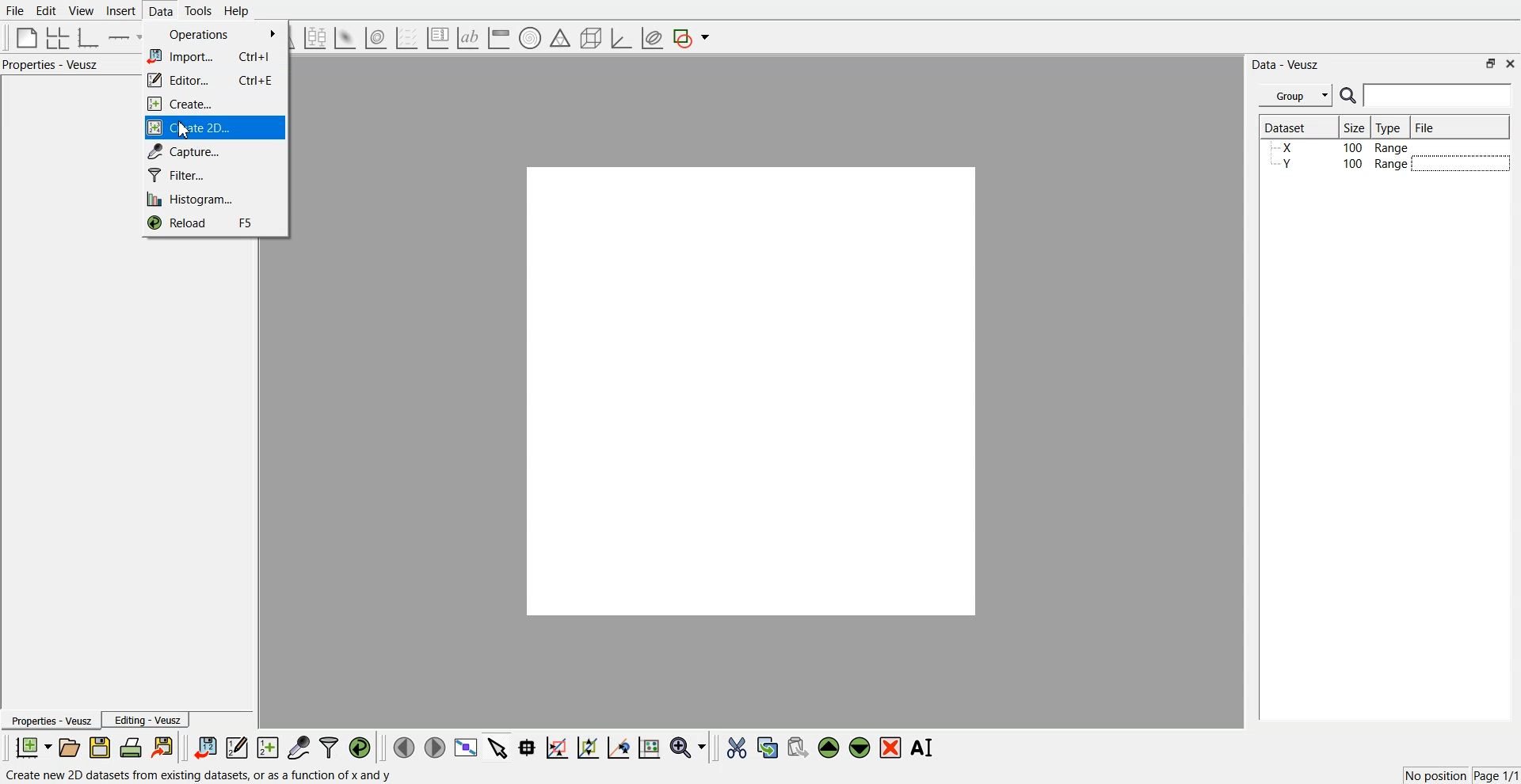 This screenshot has height=784, width=1521. I want to click on X 100 Range, so click(1341, 147).